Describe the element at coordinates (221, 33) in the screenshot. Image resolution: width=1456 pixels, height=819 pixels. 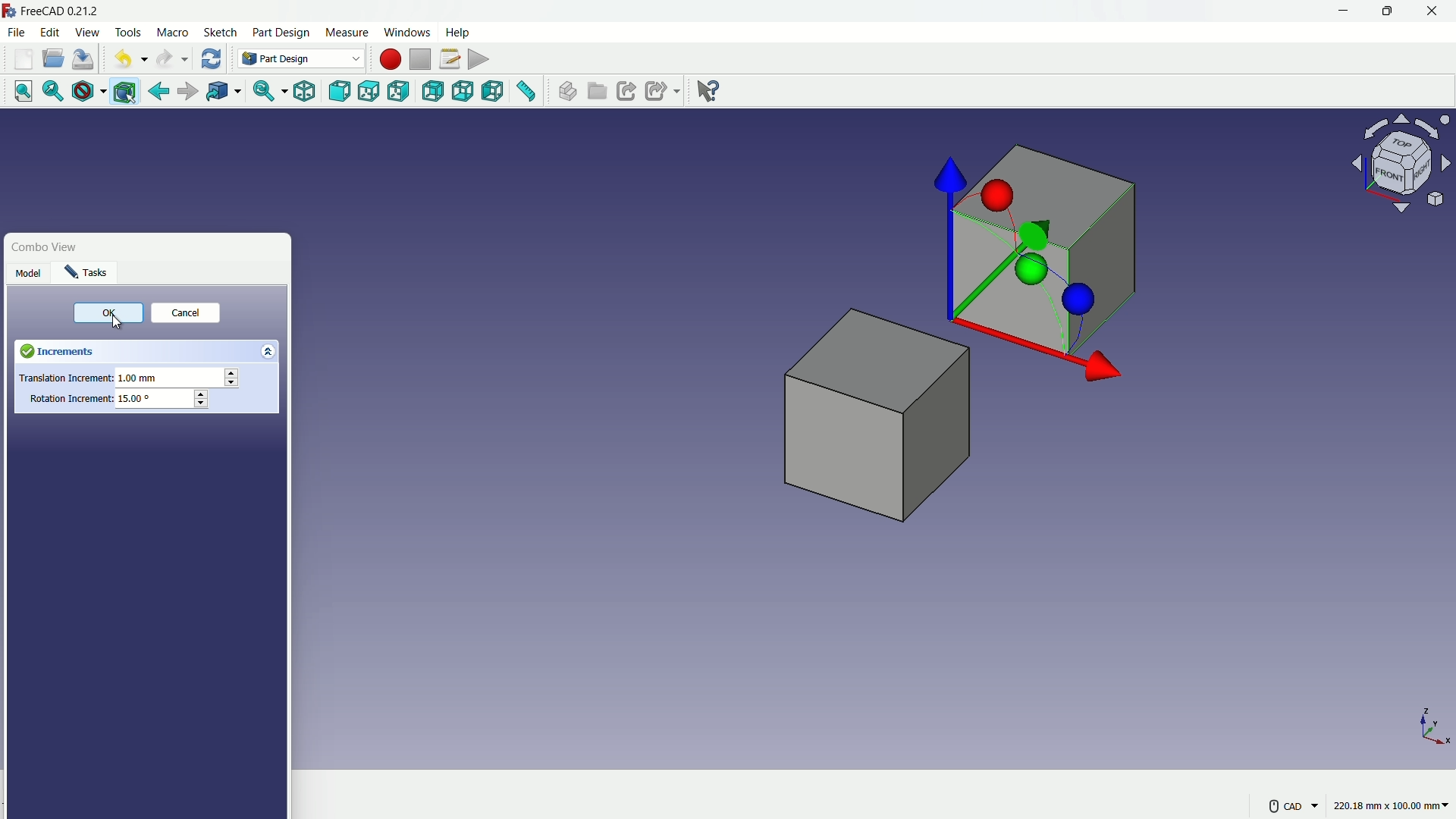
I see `sketch` at that location.